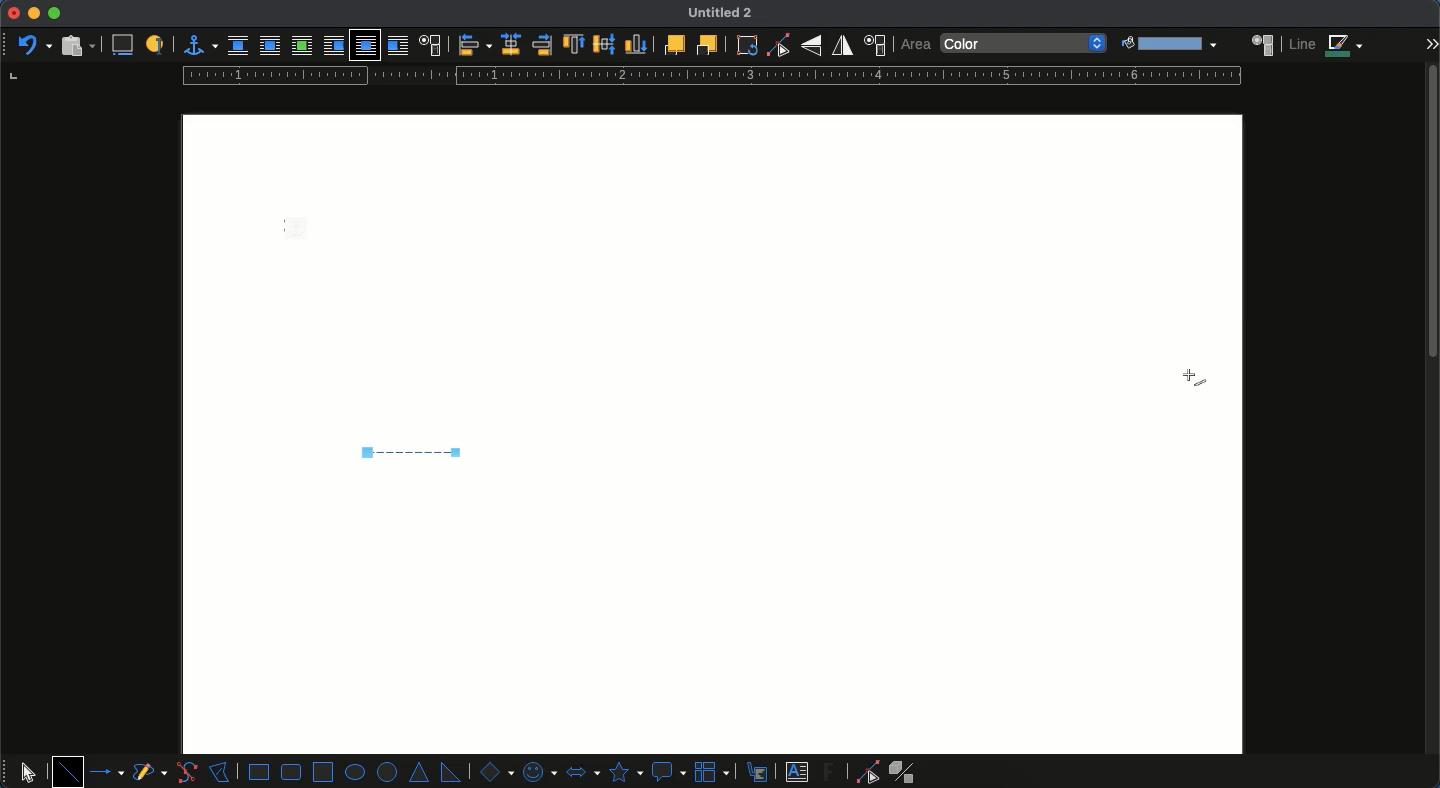 Image resolution: width=1440 pixels, height=788 pixels. I want to click on bottom, so click(637, 44).